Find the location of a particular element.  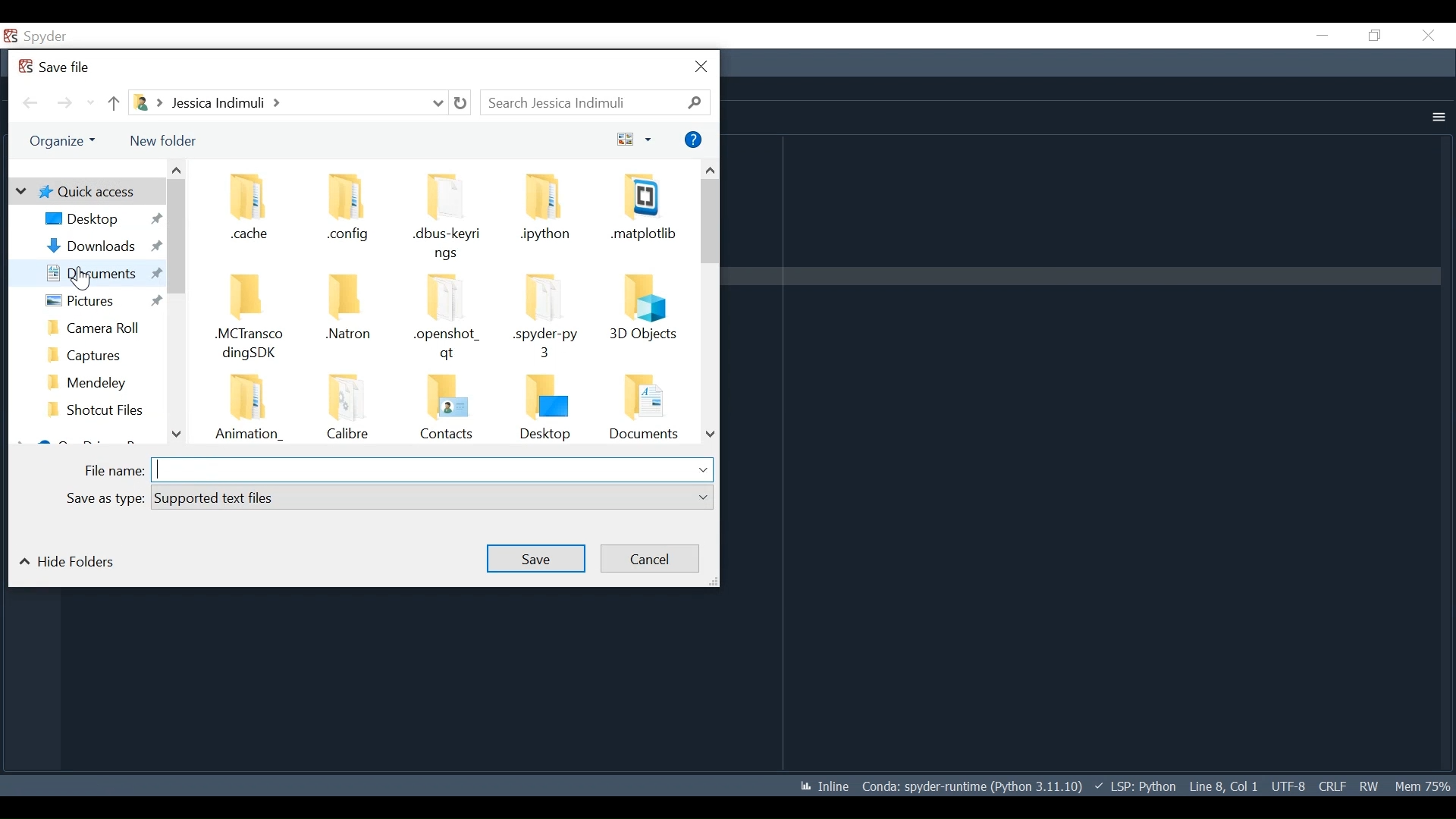

File Permissions is located at coordinates (1368, 786).